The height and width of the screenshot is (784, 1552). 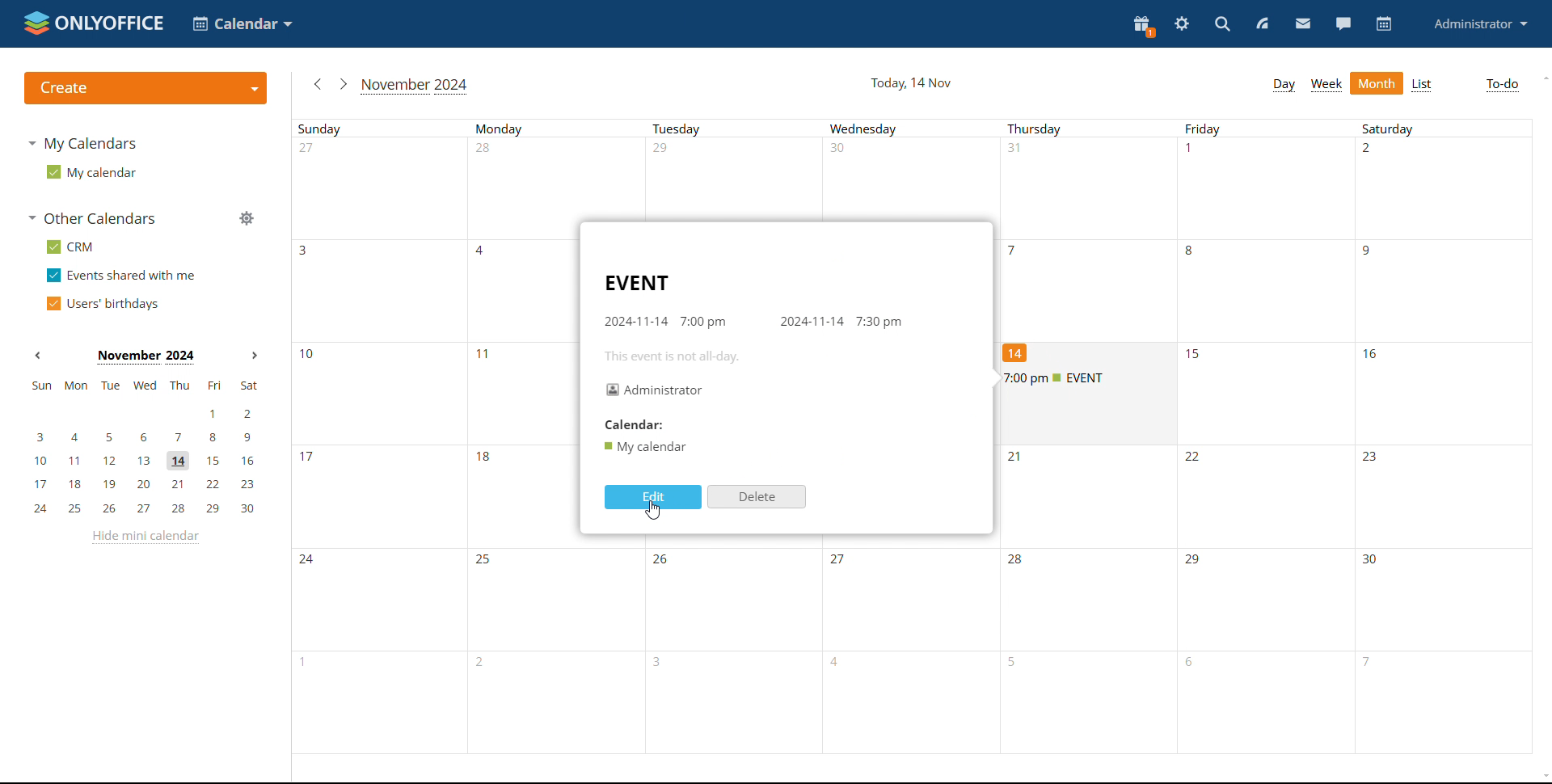 I want to click on edit, so click(x=653, y=498).